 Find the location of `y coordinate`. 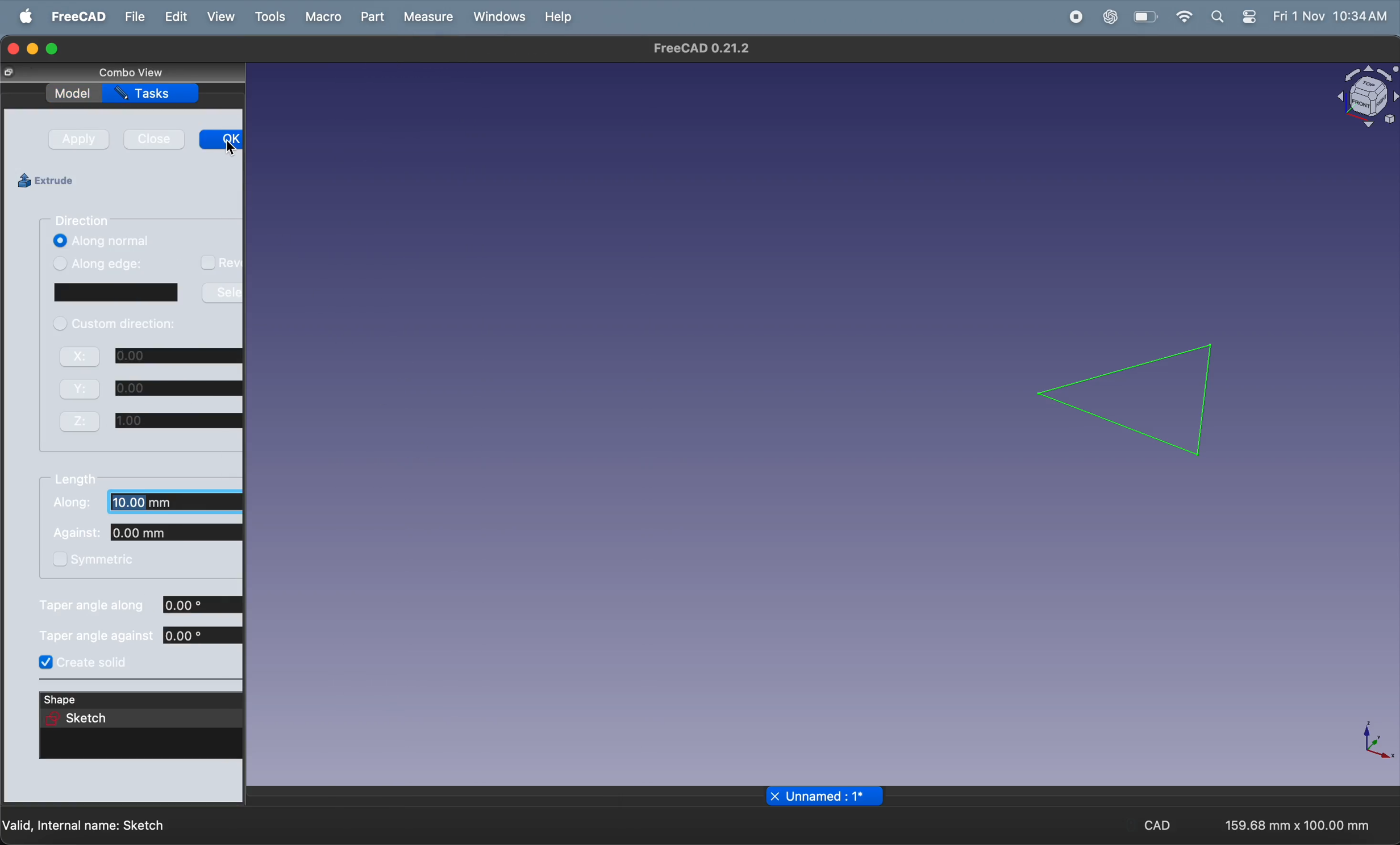

y coordinate is located at coordinates (178, 390).